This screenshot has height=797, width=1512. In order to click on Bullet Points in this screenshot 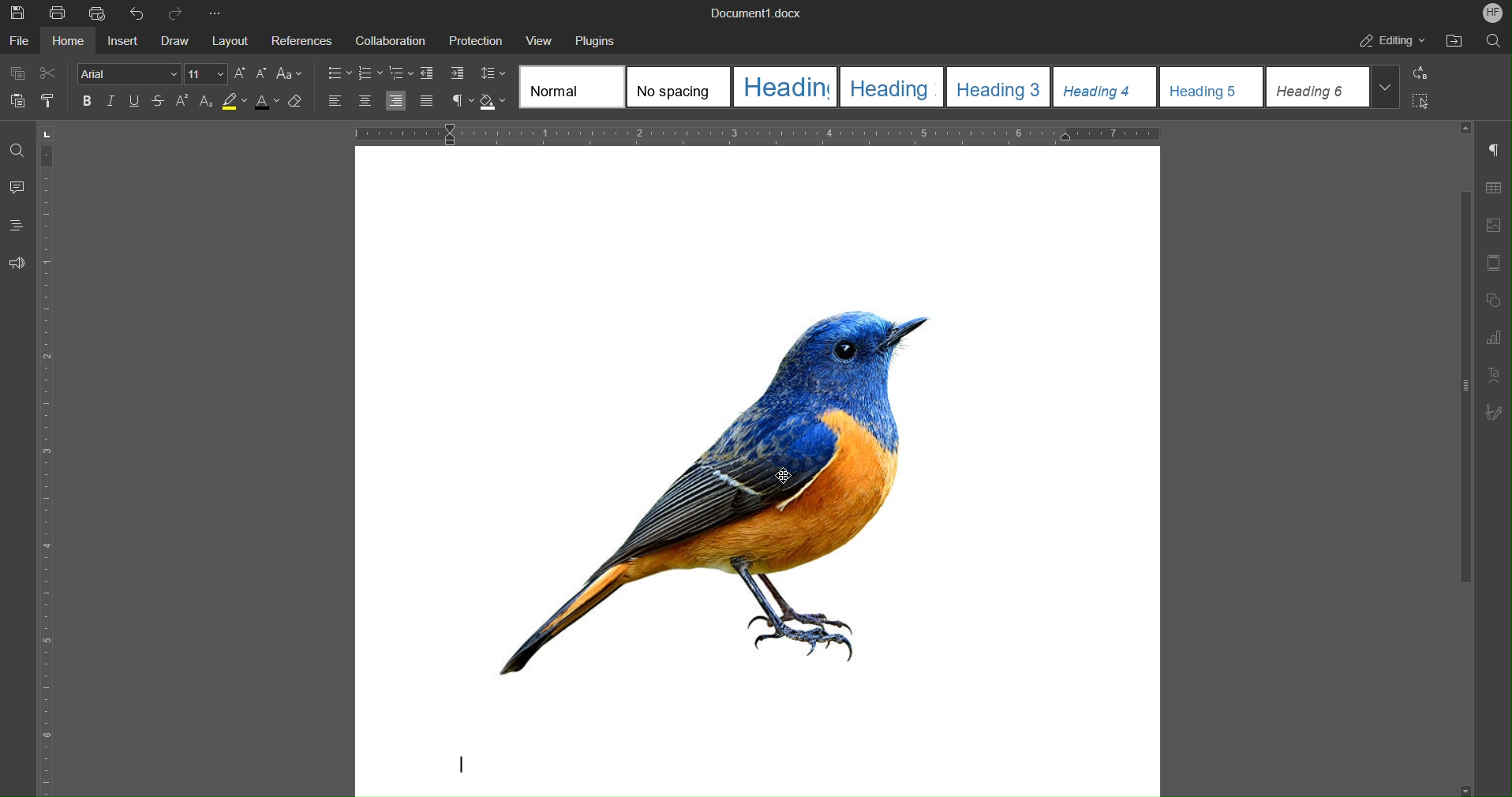, I will do `click(339, 74)`.